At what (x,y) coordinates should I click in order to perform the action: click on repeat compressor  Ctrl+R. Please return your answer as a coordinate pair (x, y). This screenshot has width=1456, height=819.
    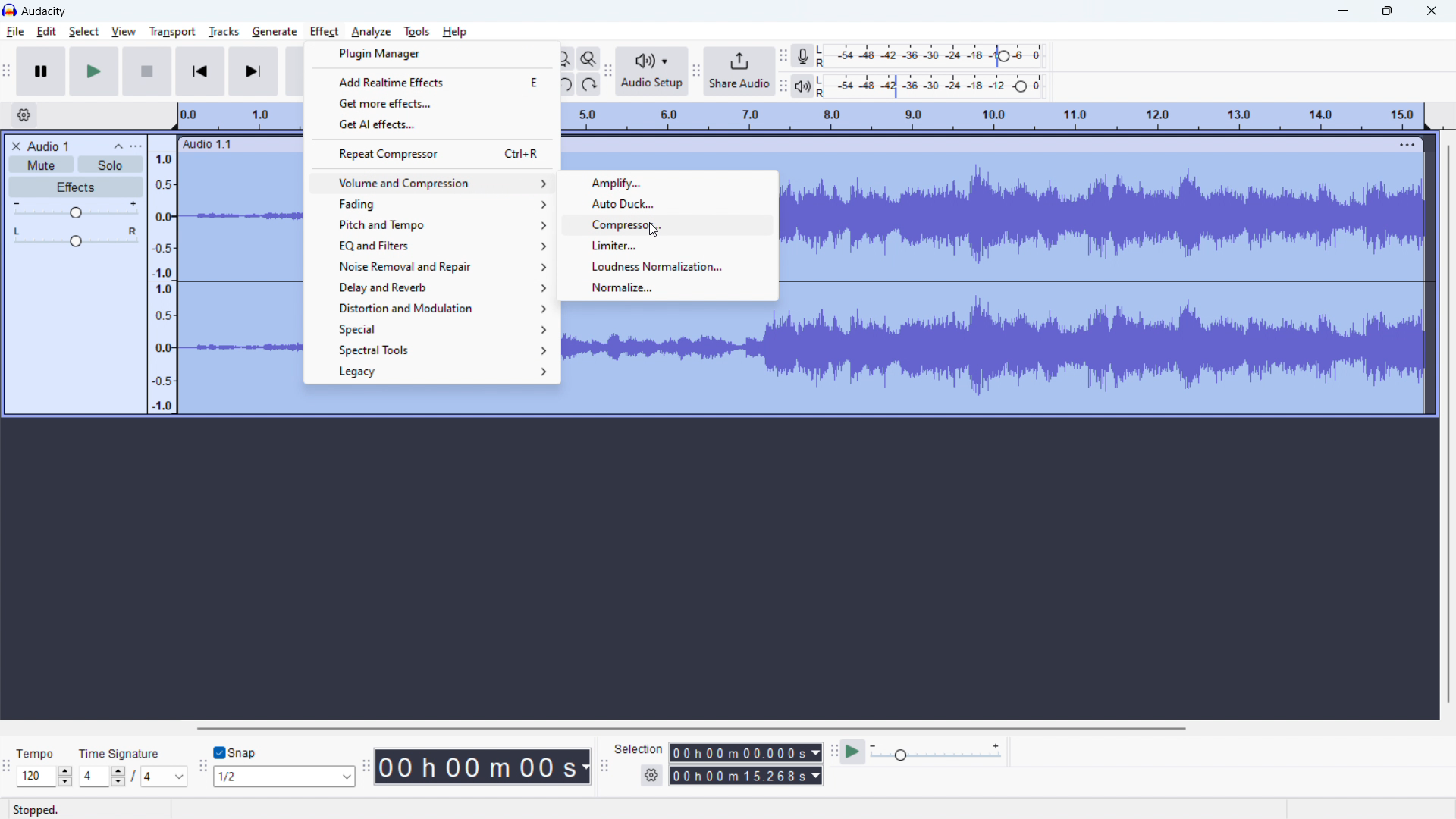
    Looking at the image, I should click on (432, 153).